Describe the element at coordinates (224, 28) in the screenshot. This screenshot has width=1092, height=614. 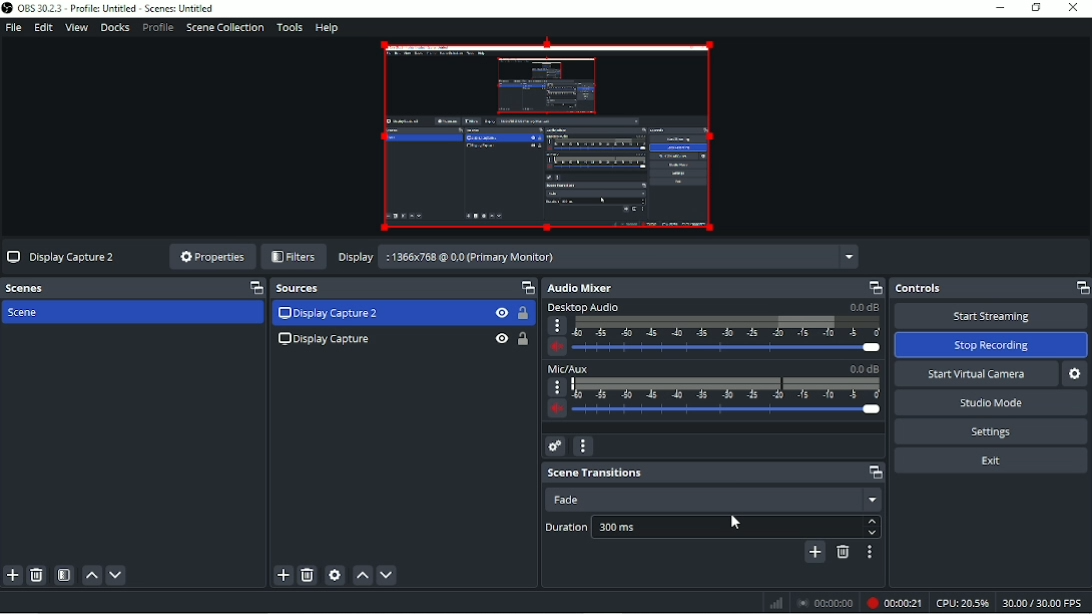
I see `Scene collection` at that location.